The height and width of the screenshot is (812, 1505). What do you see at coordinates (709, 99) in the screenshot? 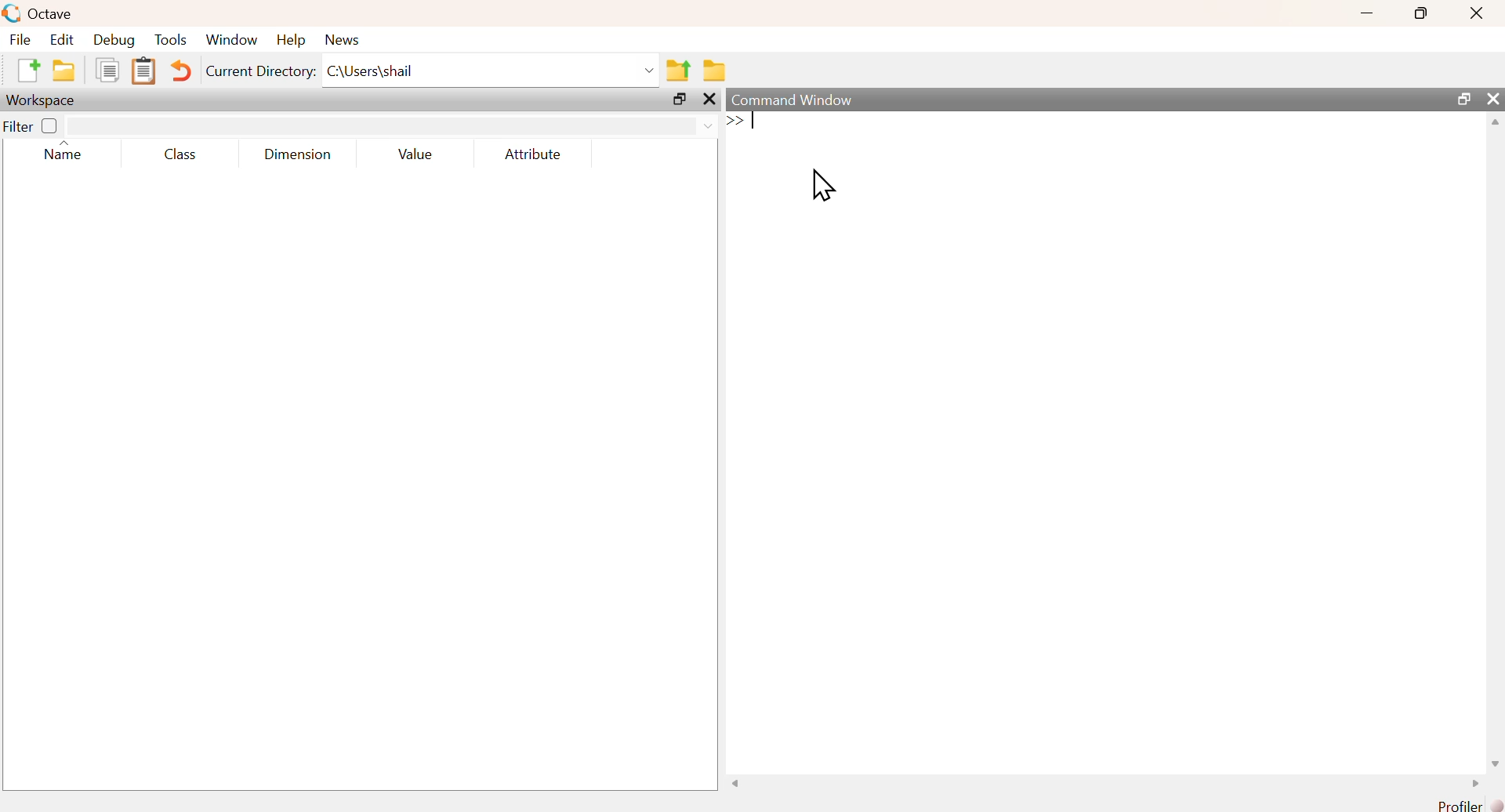
I see `close` at bounding box center [709, 99].